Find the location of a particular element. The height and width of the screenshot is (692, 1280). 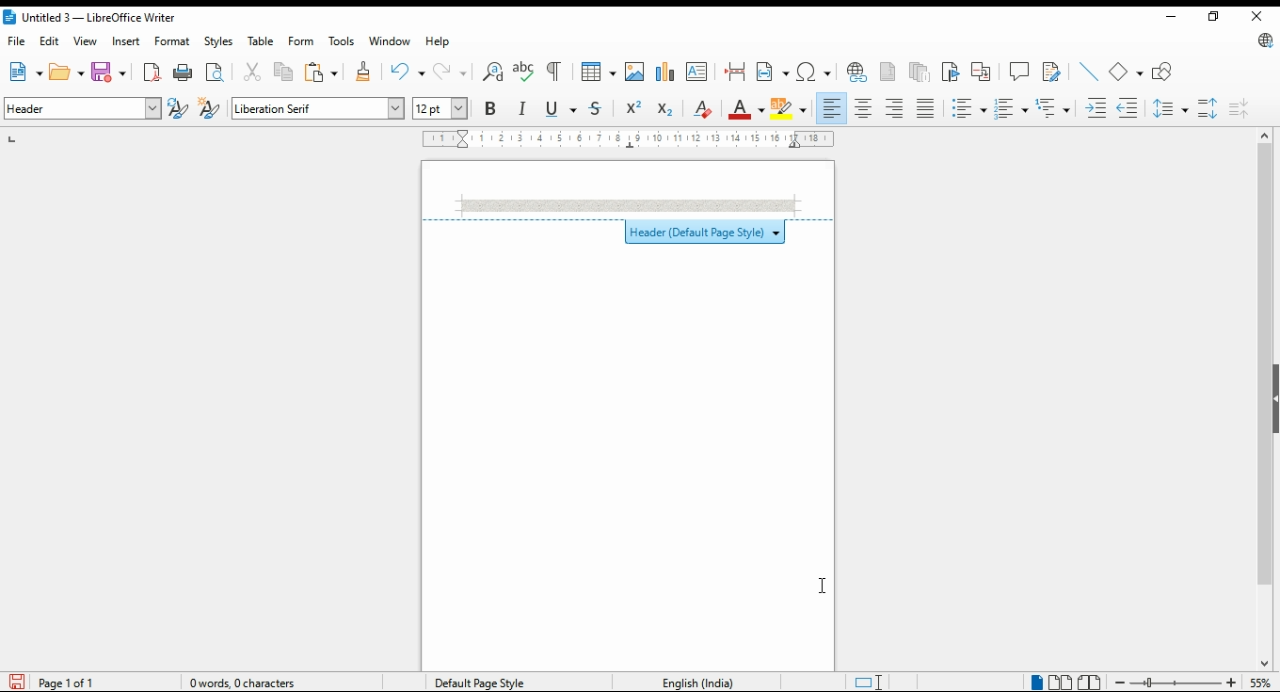

italics is located at coordinates (523, 108).